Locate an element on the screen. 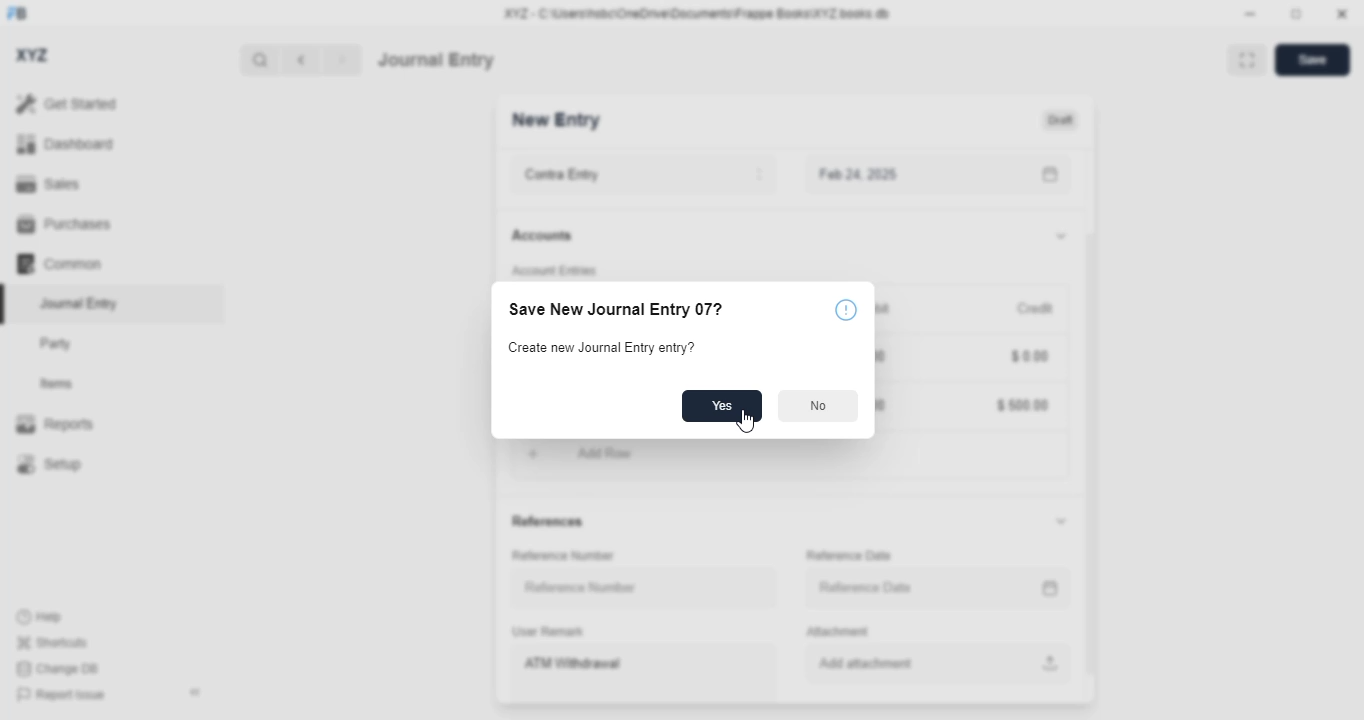 This screenshot has height=720, width=1364. add attachment is located at coordinates (933, 664).